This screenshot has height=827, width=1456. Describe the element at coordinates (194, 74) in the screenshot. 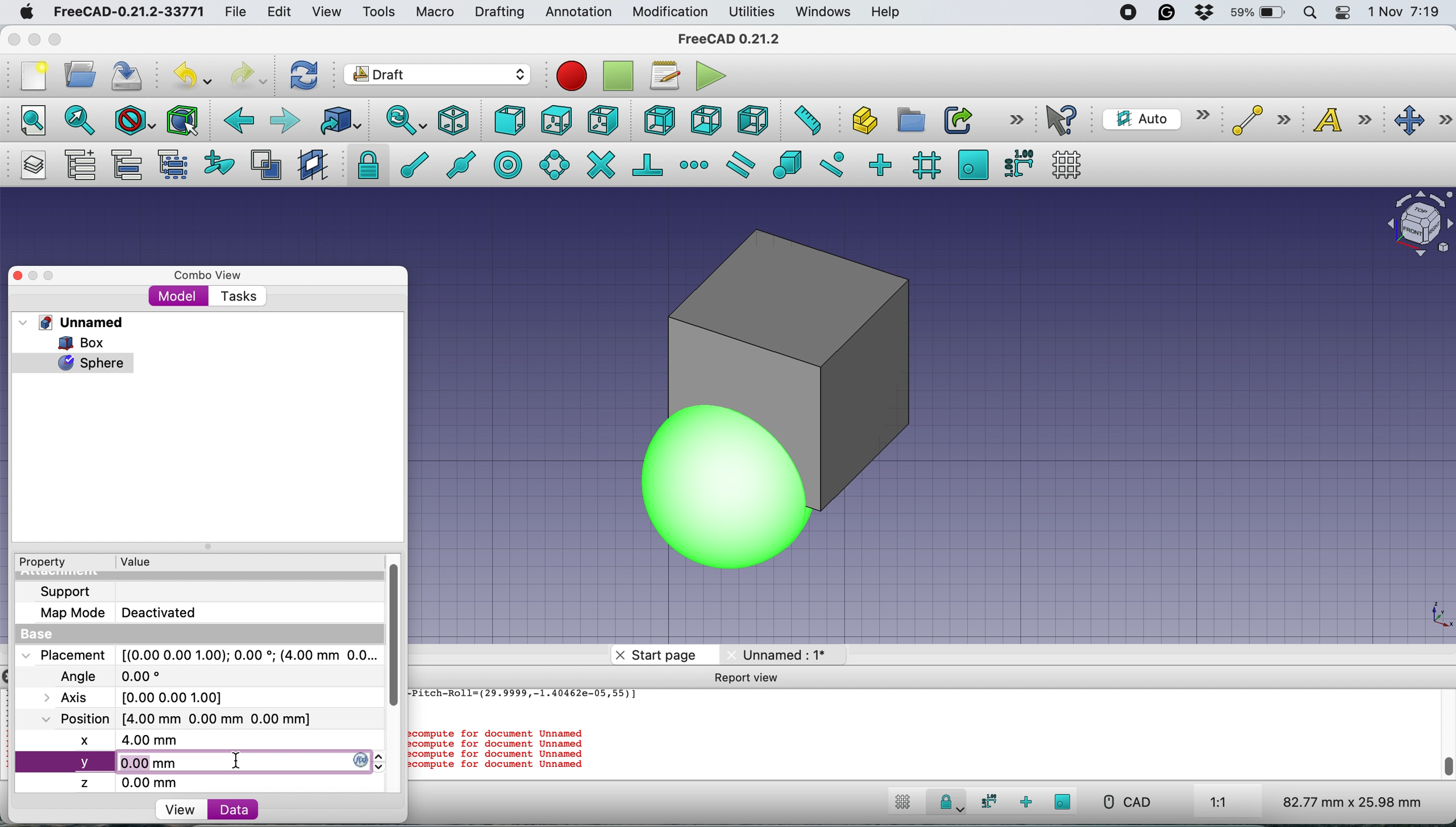

I see `undo` at that location.